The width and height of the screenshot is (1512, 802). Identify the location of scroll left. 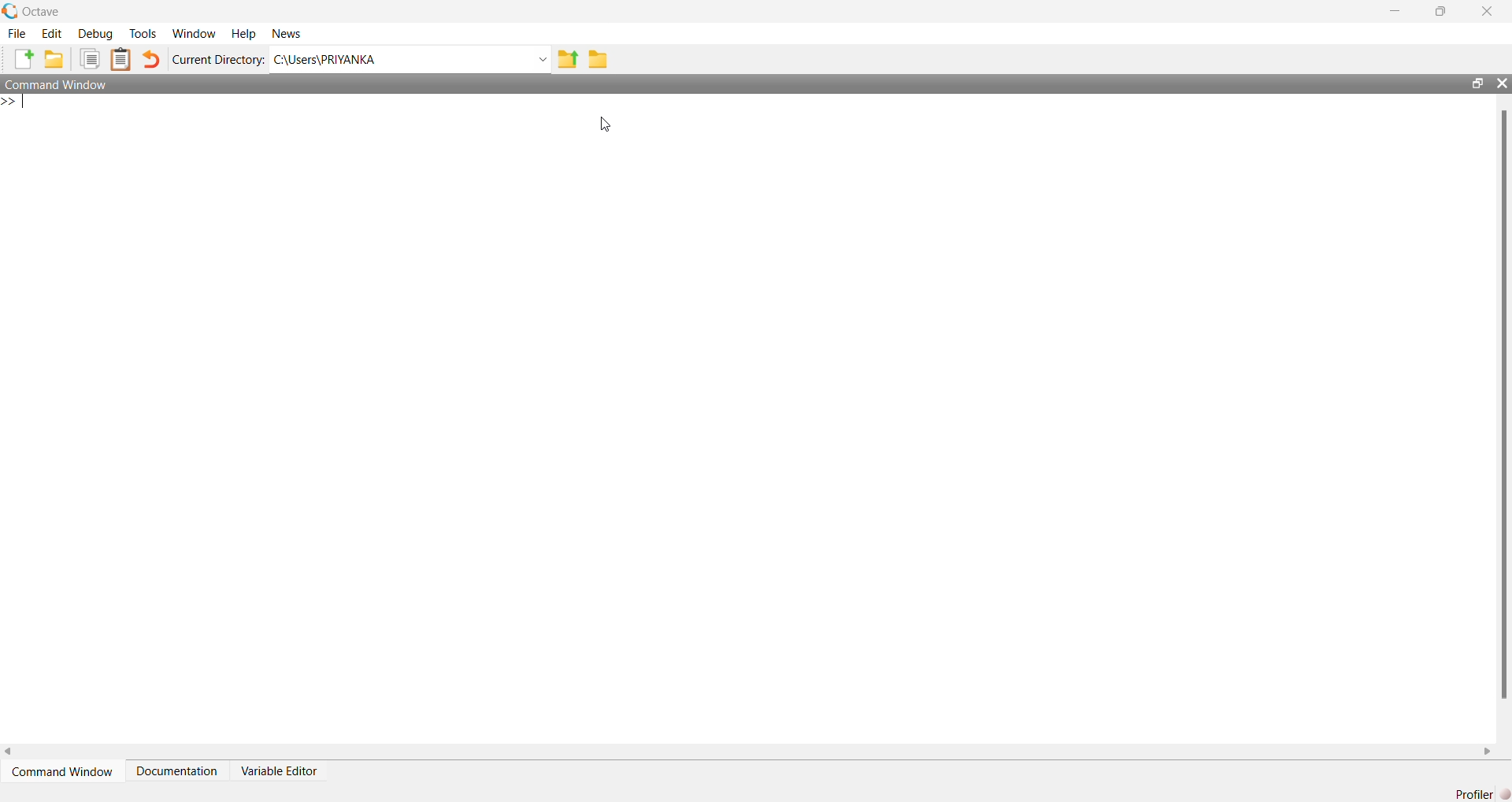
(9, 752).